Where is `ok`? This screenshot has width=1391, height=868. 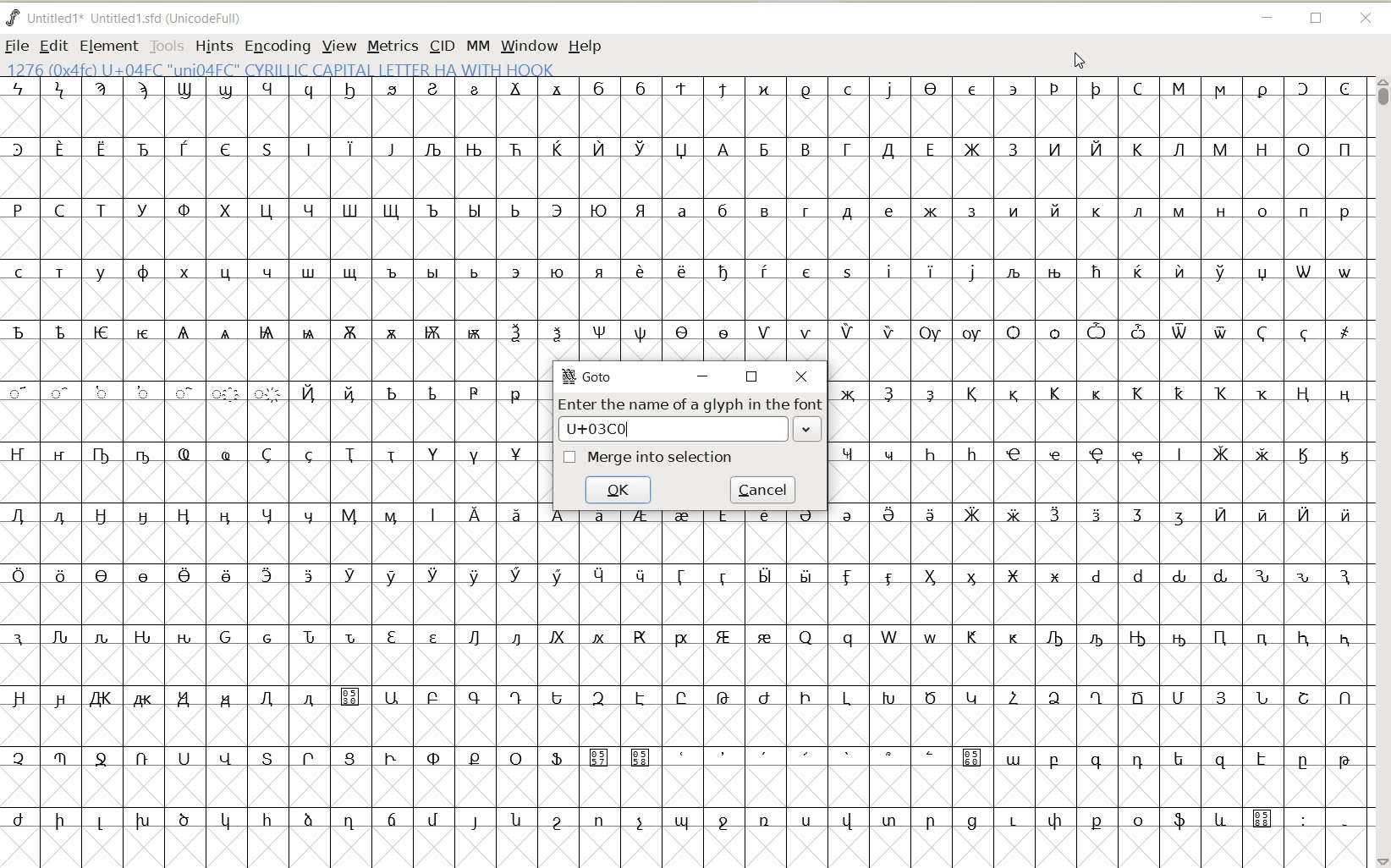
ok is located at coordinates (622, 491).